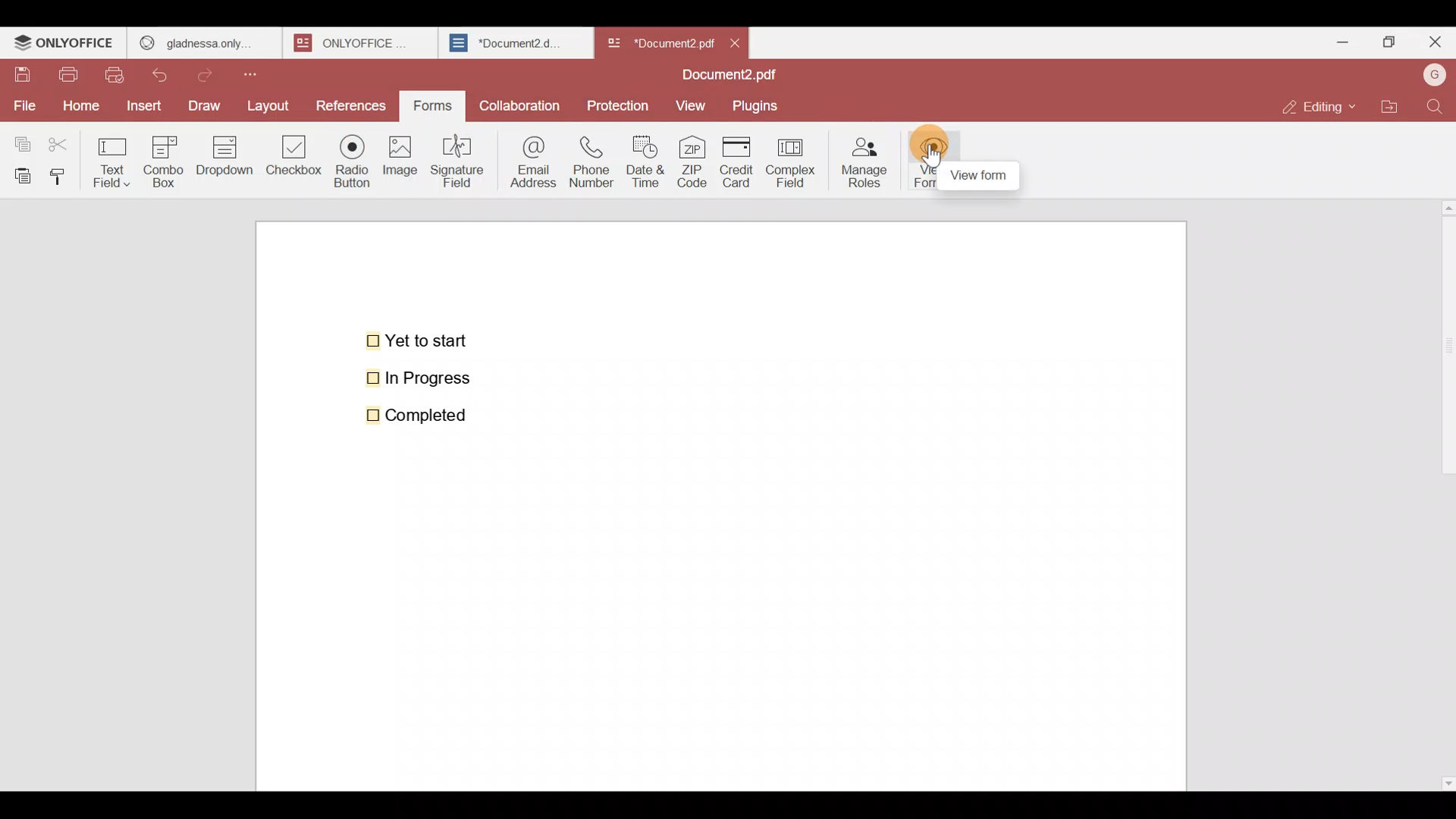 Image resolution: width=1456 pixels, height=819 pixels. Describe the element at coordinates (978, 176) in the screenshot. I see `view form` at that location.